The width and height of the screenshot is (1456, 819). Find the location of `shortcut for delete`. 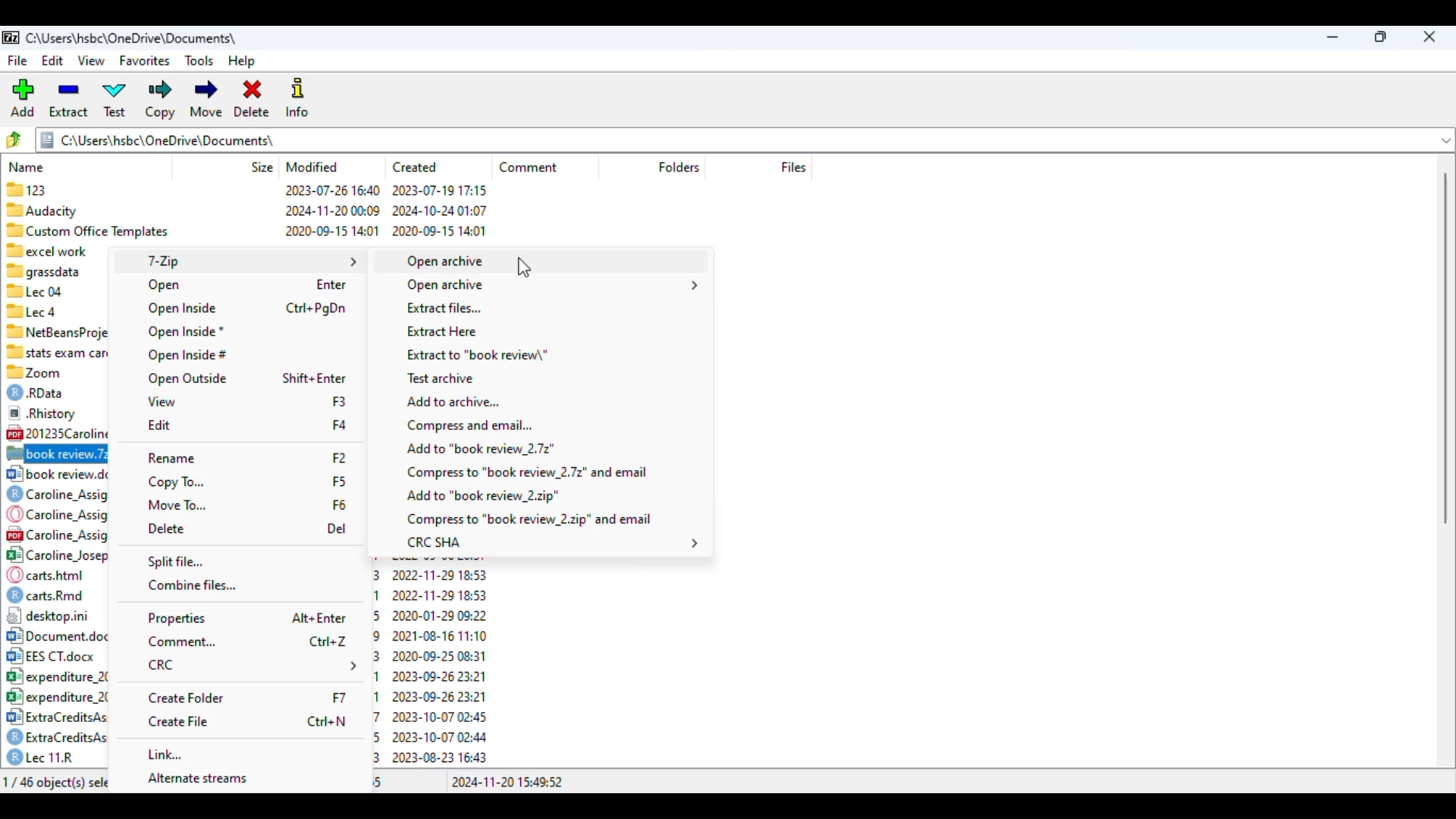

shortcut for delete is located at coordinates (337, 529).